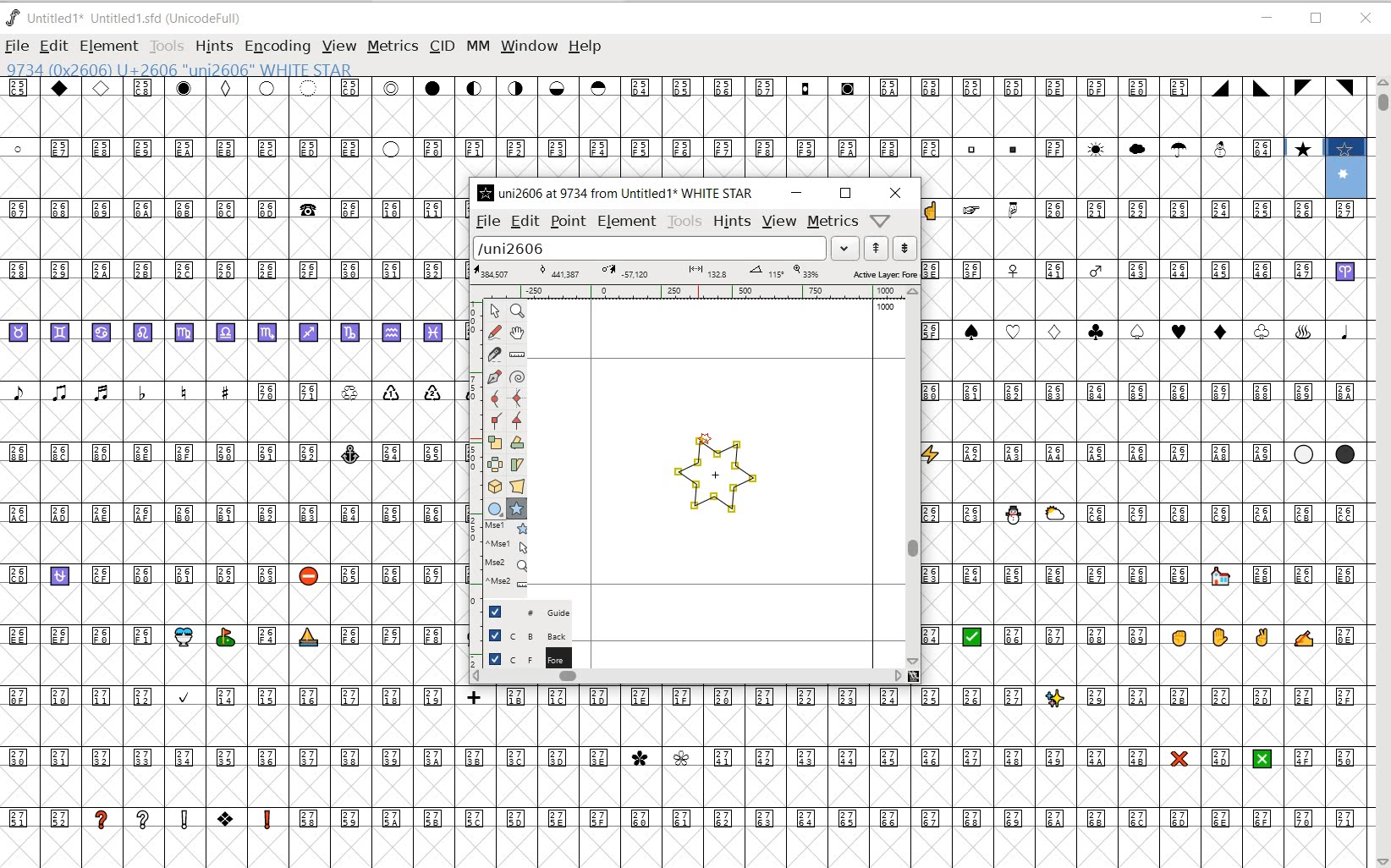 Image resolution: width=1391 pixels, height=868 pixels. What do you see at coordinates (1144, 350) in the screenshot?
I see `GLYPHY CHARACTERS & NUMBERS` at bounding box center [1144, 350].